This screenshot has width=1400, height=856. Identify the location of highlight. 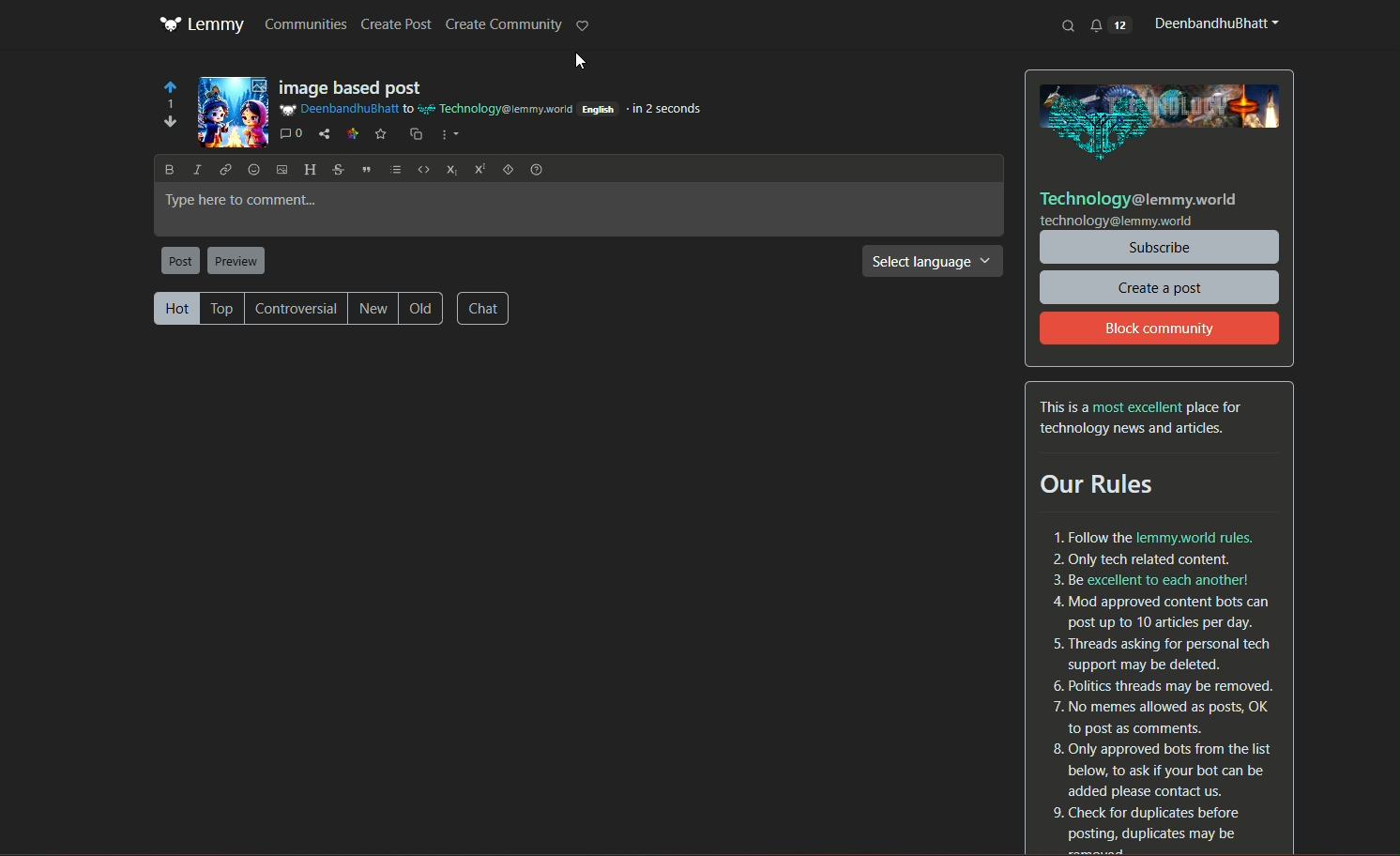
(585, 27).